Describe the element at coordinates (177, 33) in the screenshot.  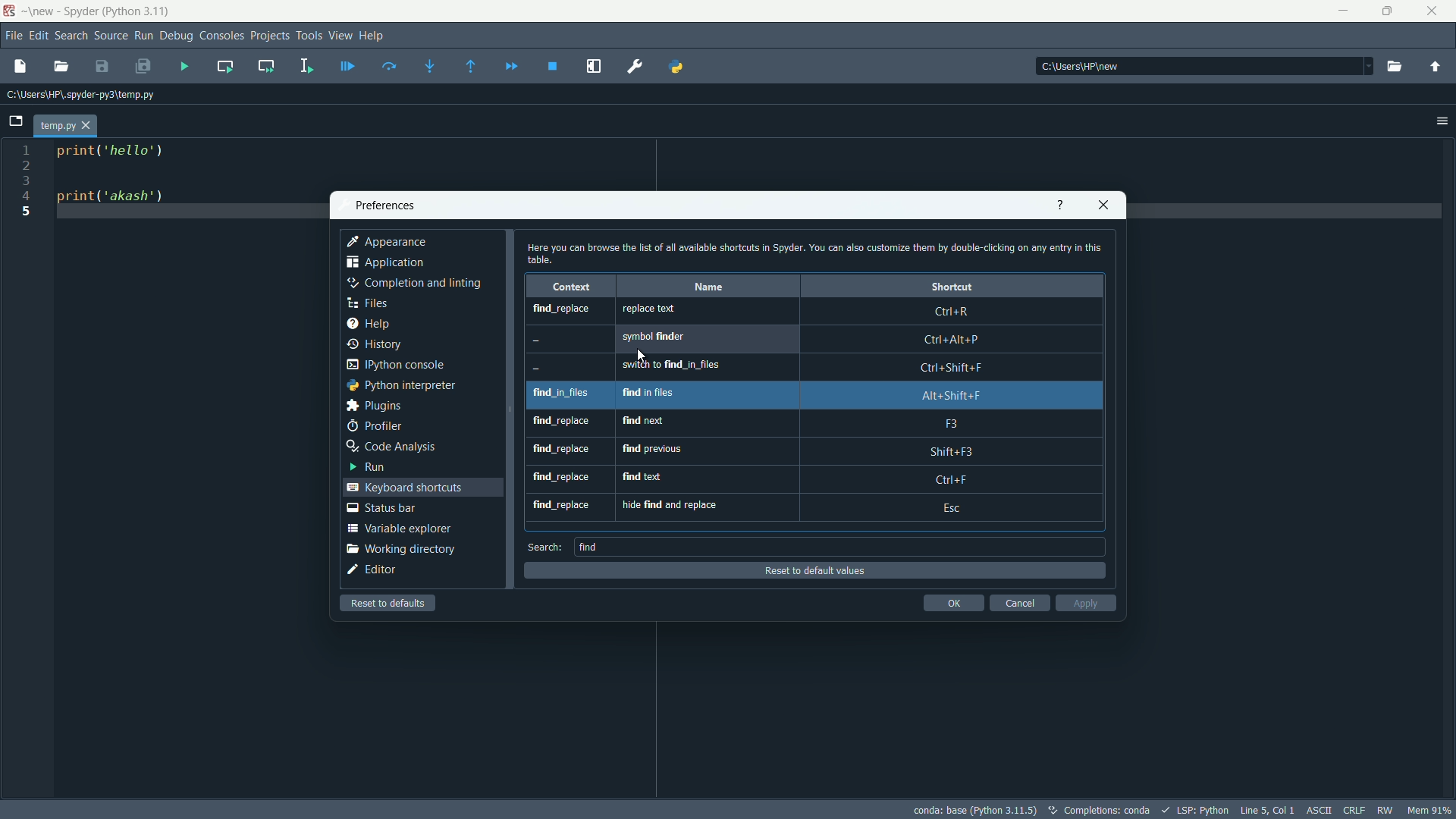
I see `debug menu` at that location.